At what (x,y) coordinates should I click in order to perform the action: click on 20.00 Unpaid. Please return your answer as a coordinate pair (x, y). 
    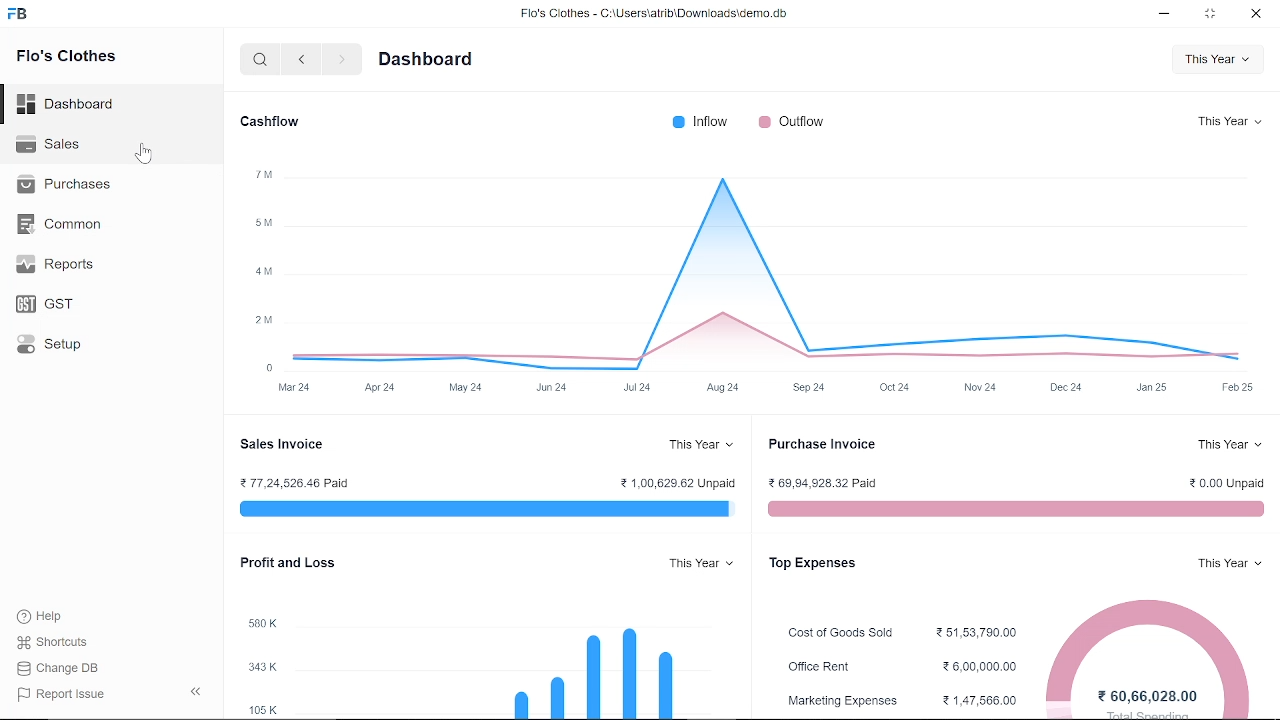
    Looking at the image, I should click on (1225, 482).